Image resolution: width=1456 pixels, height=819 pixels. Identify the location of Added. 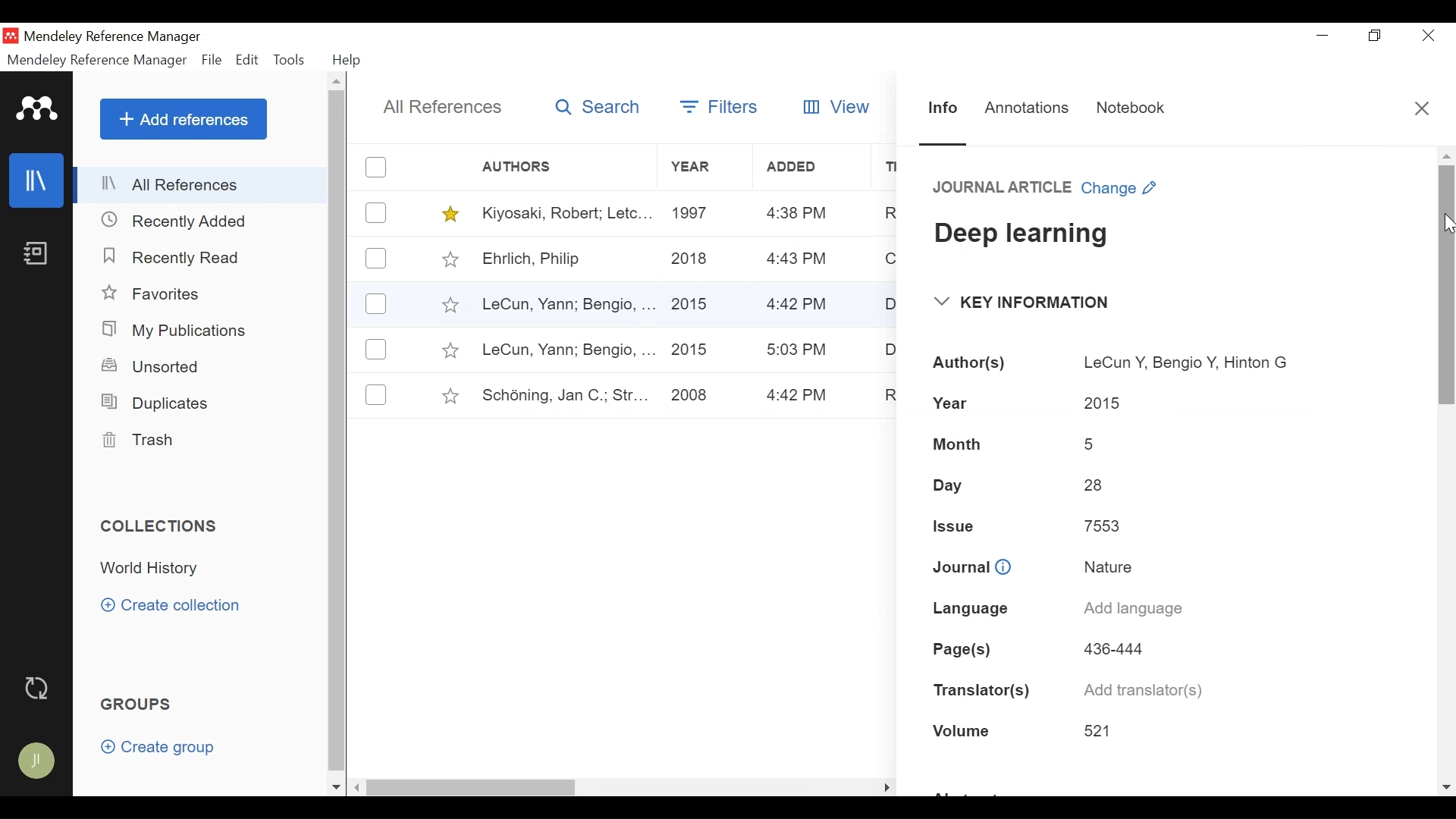
(814, 167).